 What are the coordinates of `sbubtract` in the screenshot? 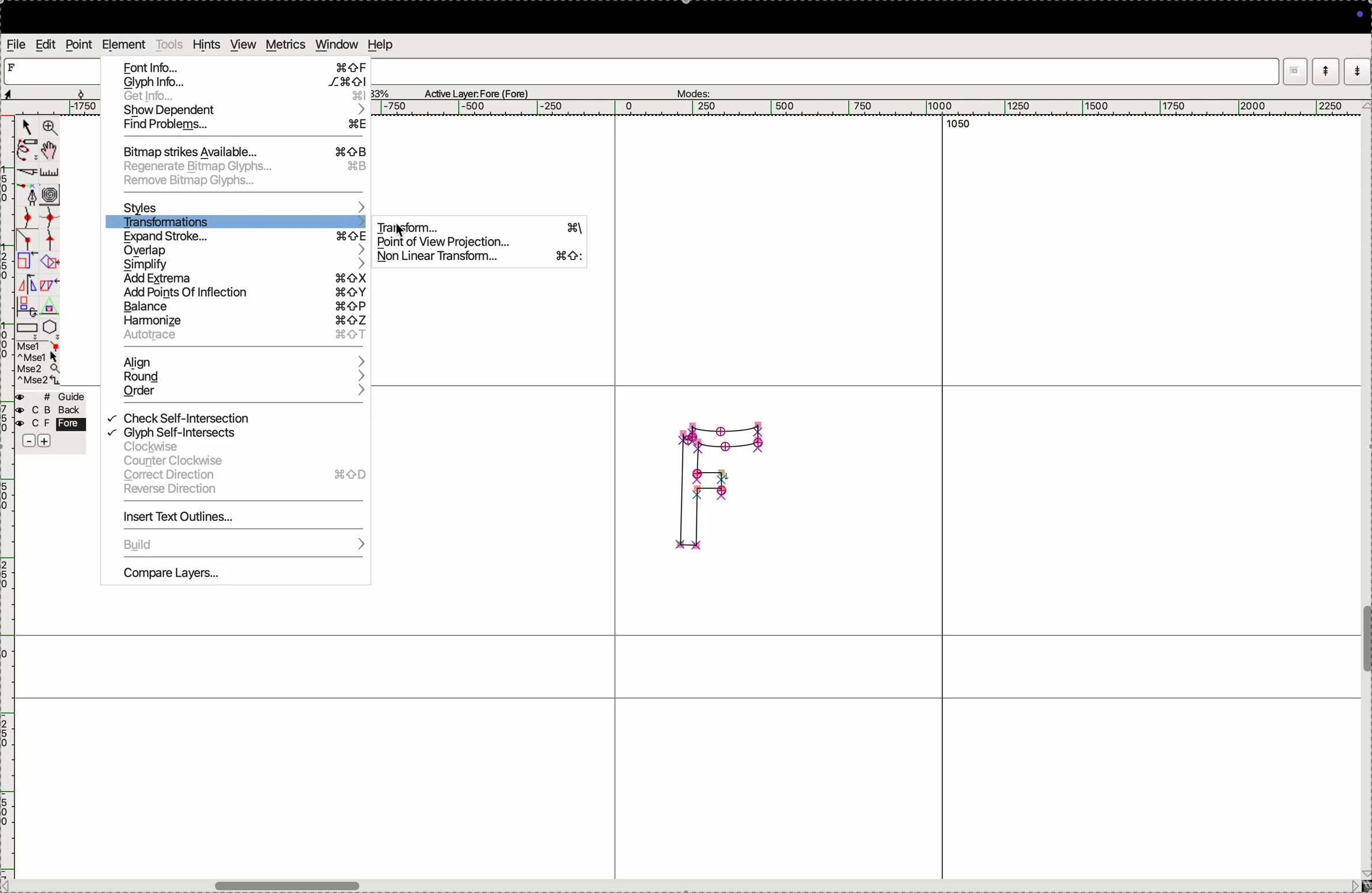 It's located at (24, 442).